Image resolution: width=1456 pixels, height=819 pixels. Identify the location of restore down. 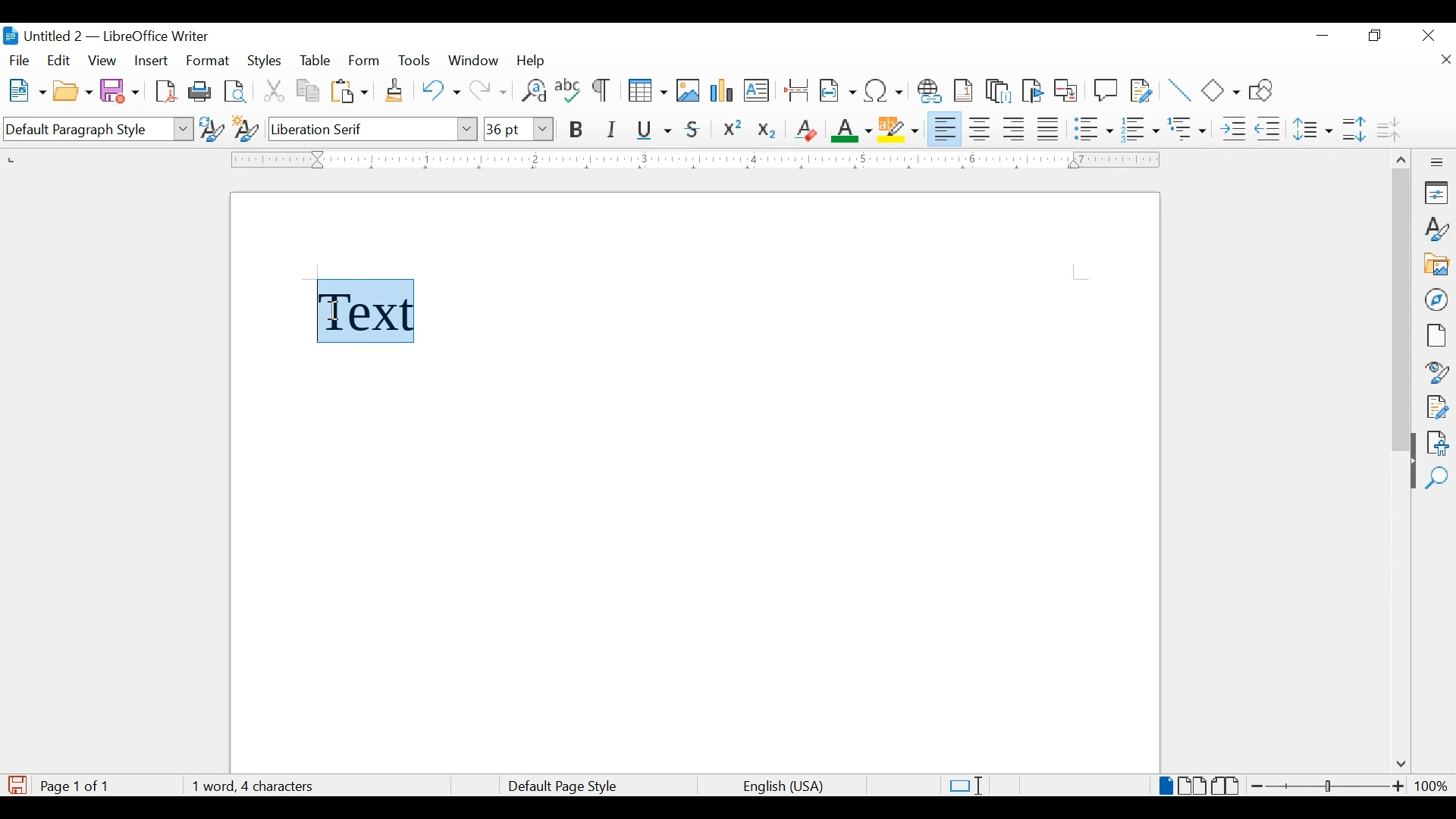
(1376, 36).